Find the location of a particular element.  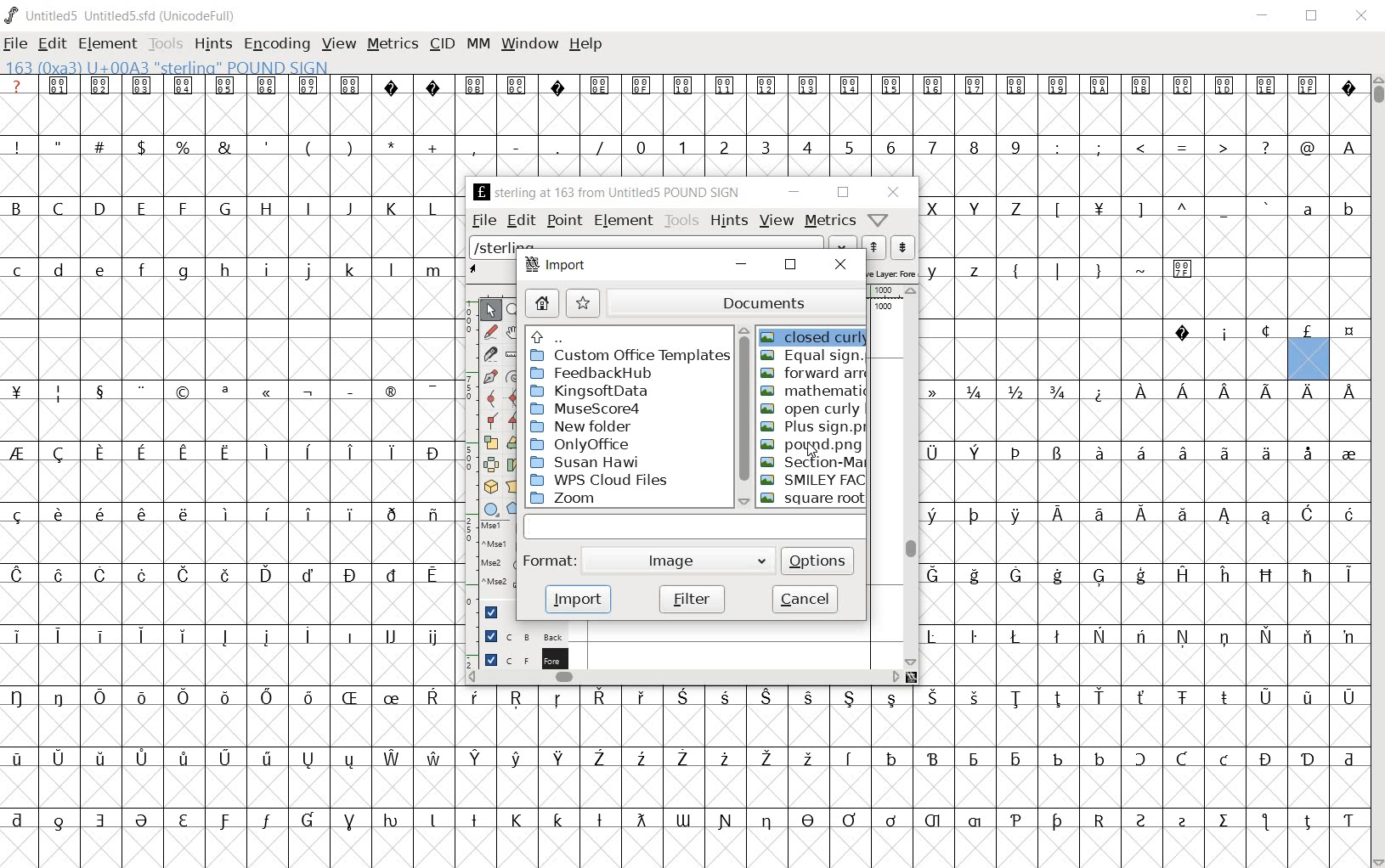

Symbol is located at coordinates (98, 696).